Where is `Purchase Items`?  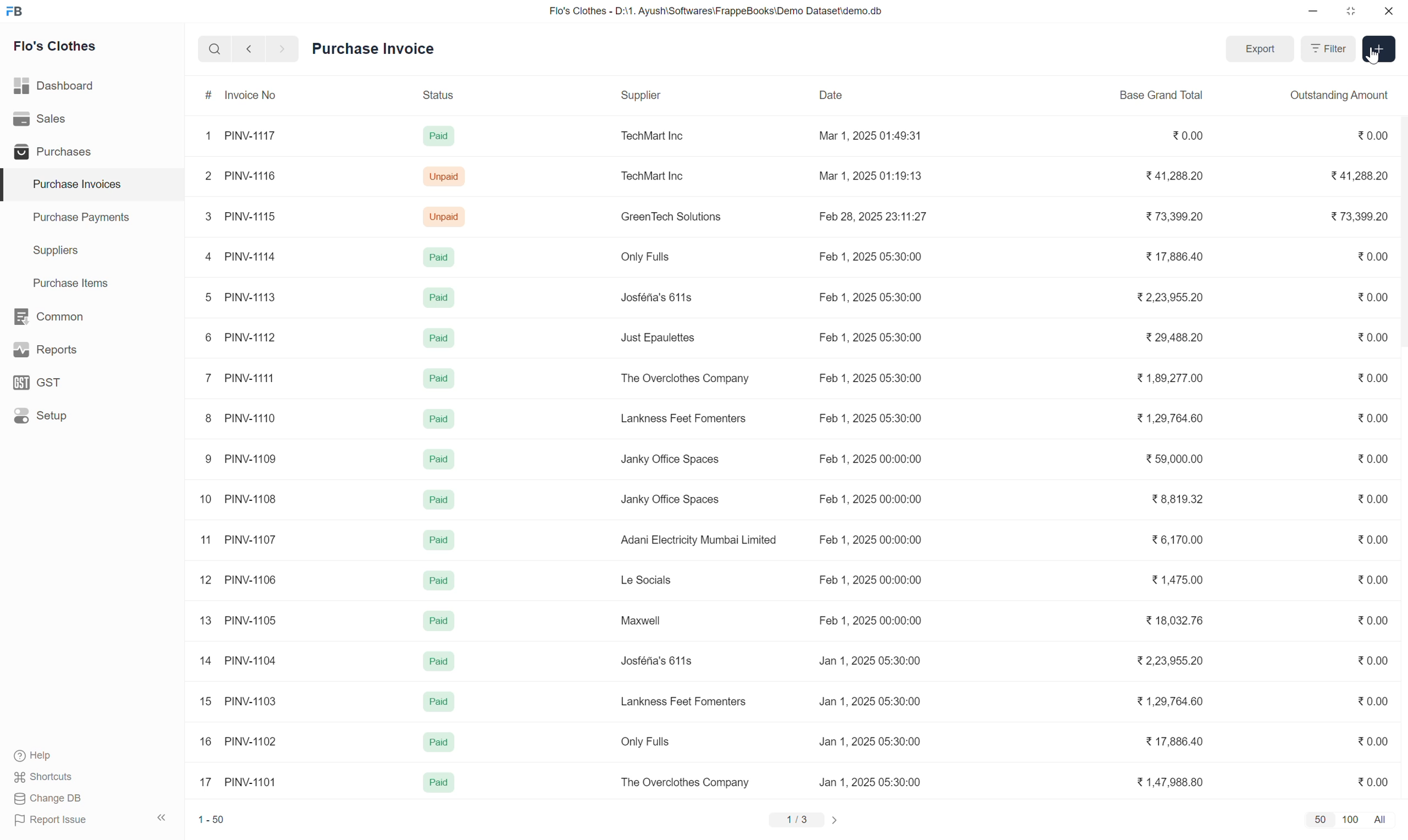 Purchase Items is located at coordinates (92, 284).